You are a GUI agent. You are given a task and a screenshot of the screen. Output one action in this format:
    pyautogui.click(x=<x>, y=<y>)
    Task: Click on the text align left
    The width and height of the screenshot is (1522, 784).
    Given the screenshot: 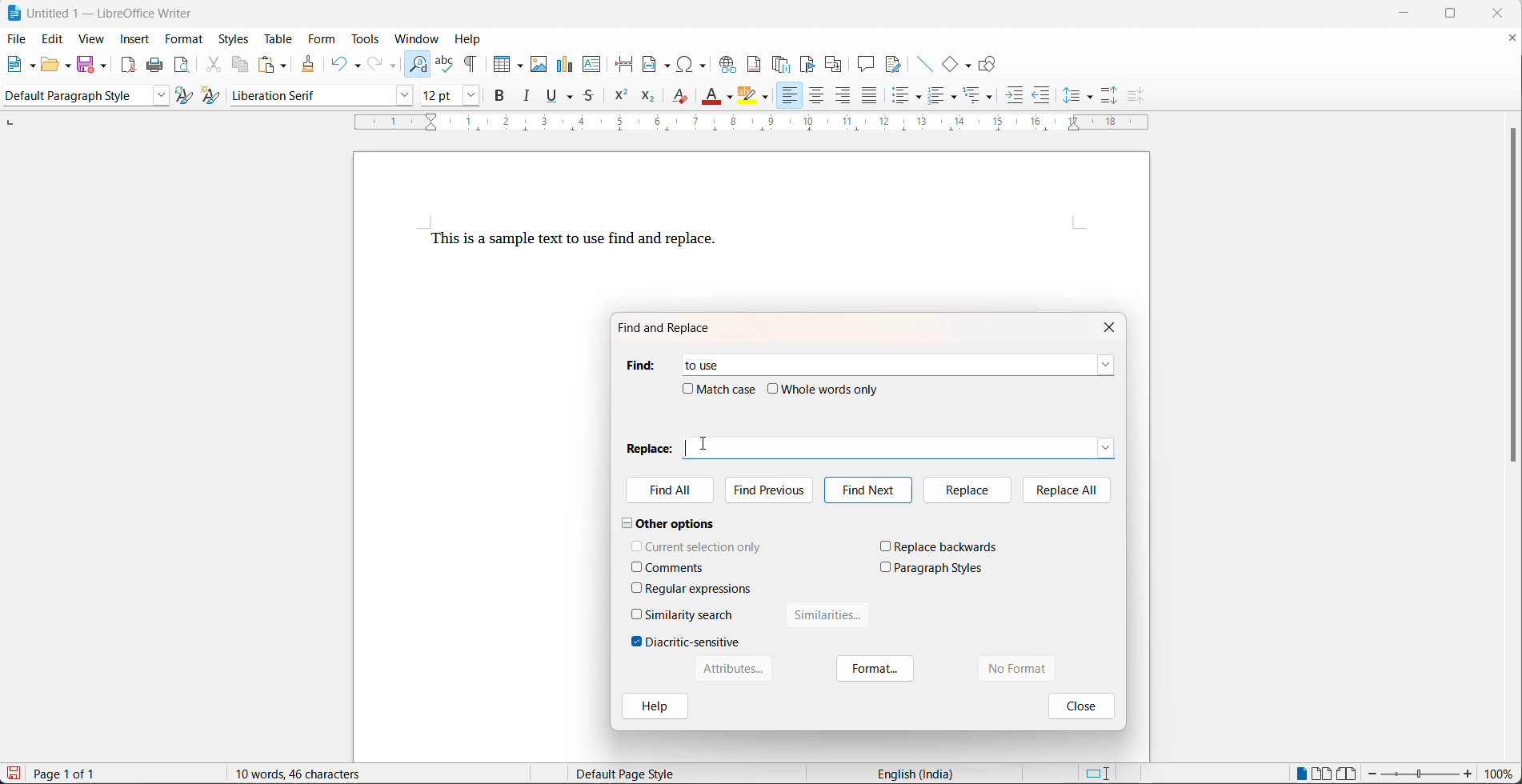 What is the action you would take?
    pyautogui.click(x=788, y=96)
    